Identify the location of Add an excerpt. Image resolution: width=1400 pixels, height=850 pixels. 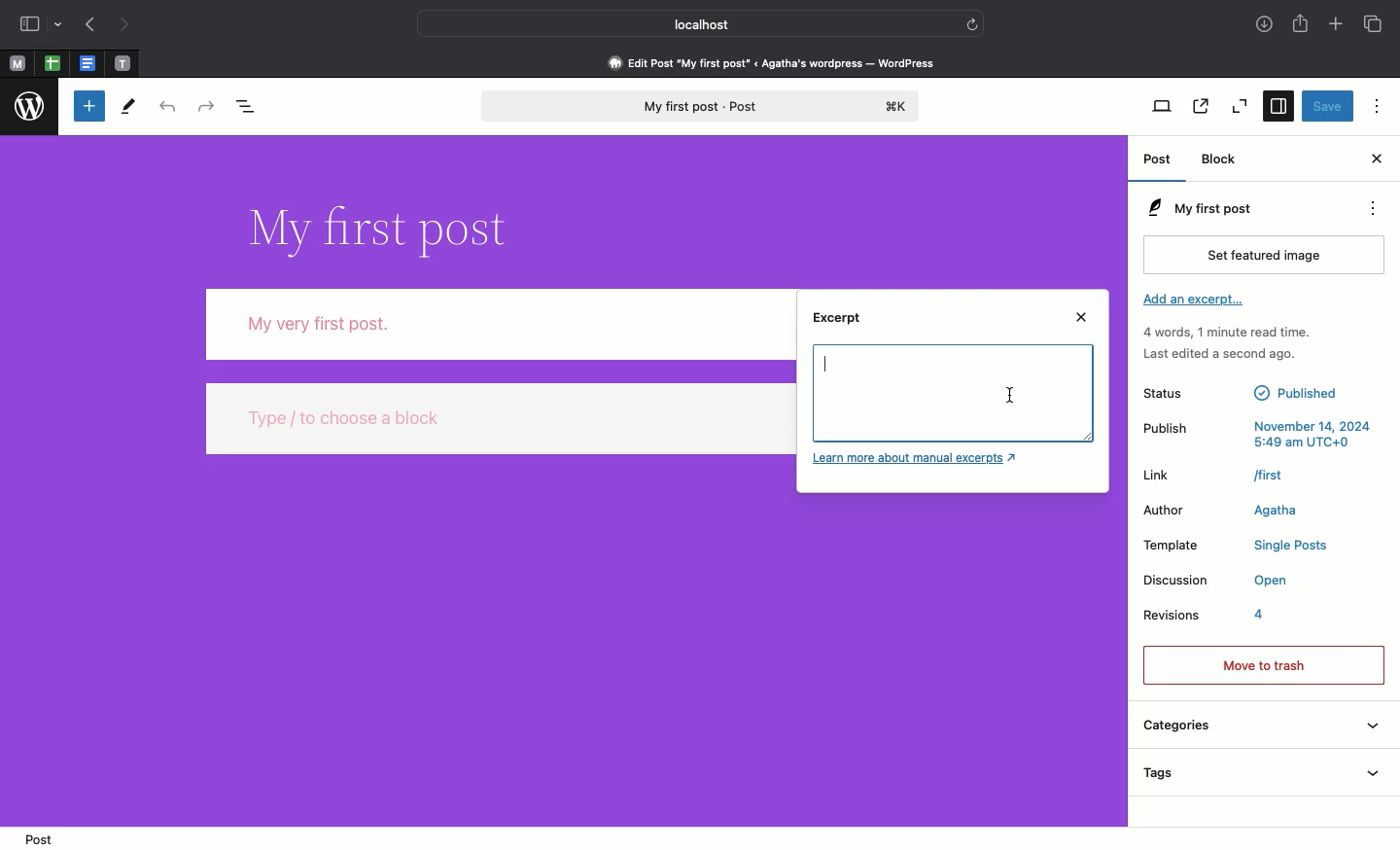
(1195, 303).